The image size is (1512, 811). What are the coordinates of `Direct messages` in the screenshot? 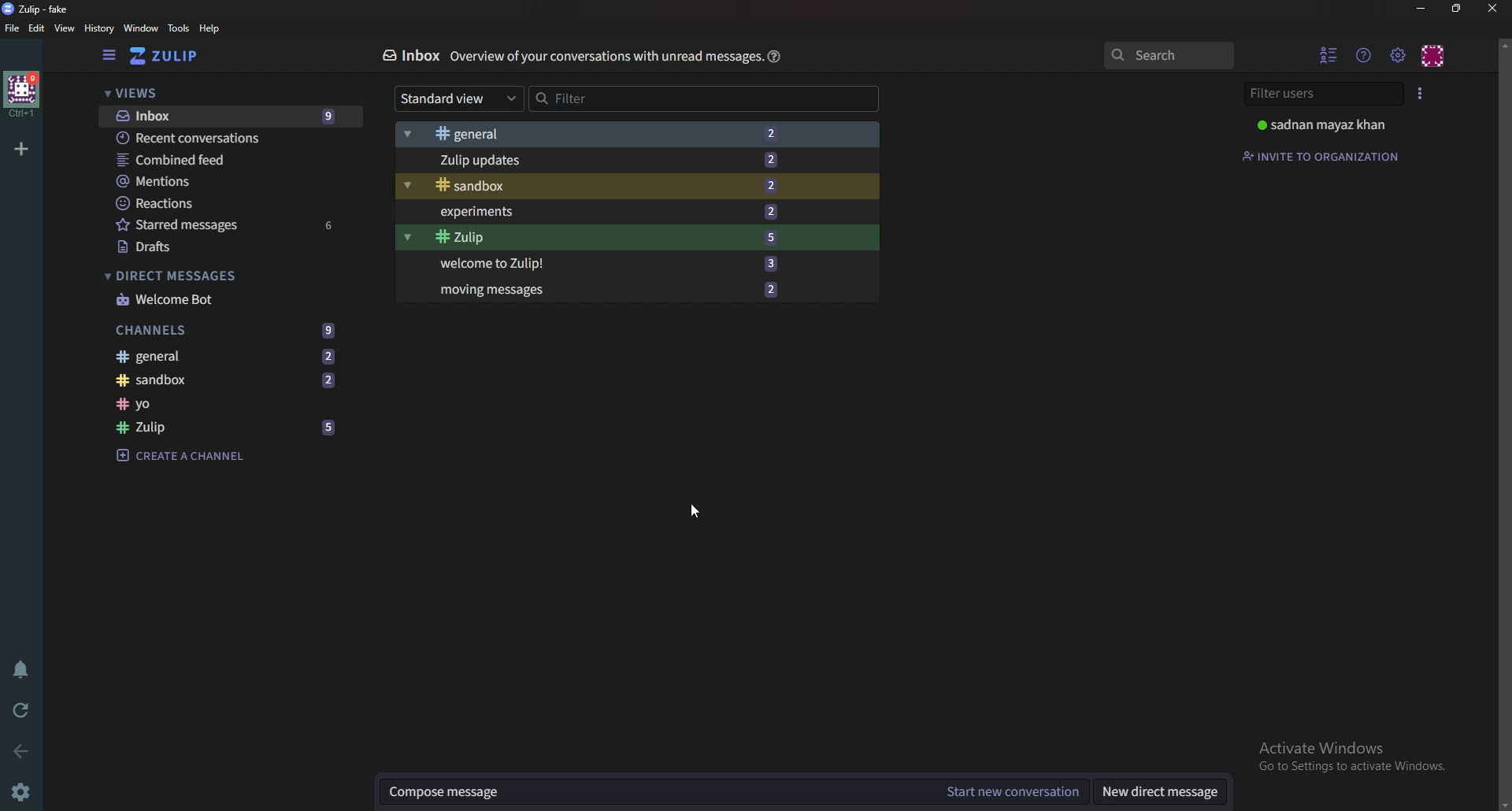 It's located at (212, 277).